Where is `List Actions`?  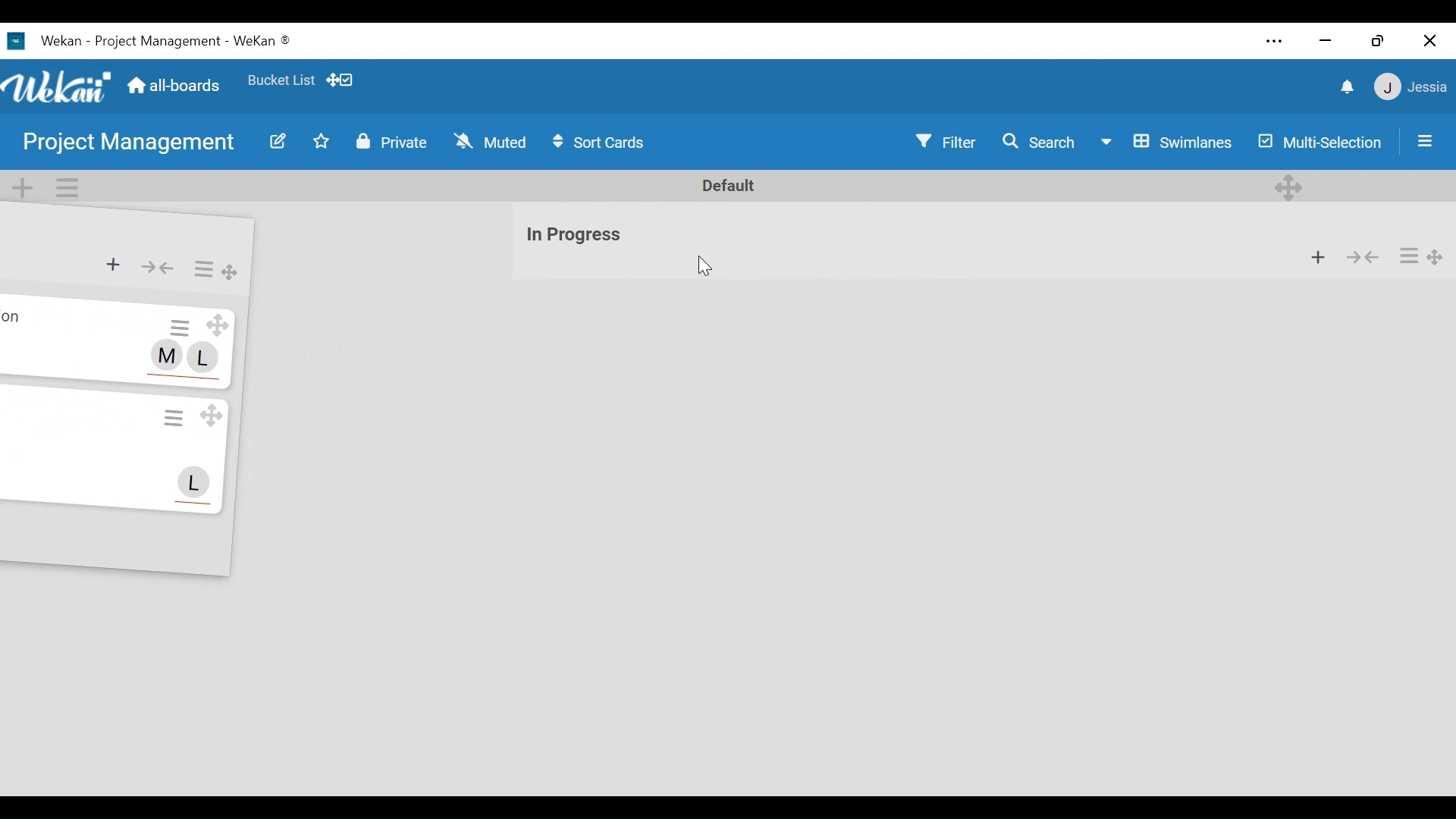 List Actions is located at coordinates (1409, 255).